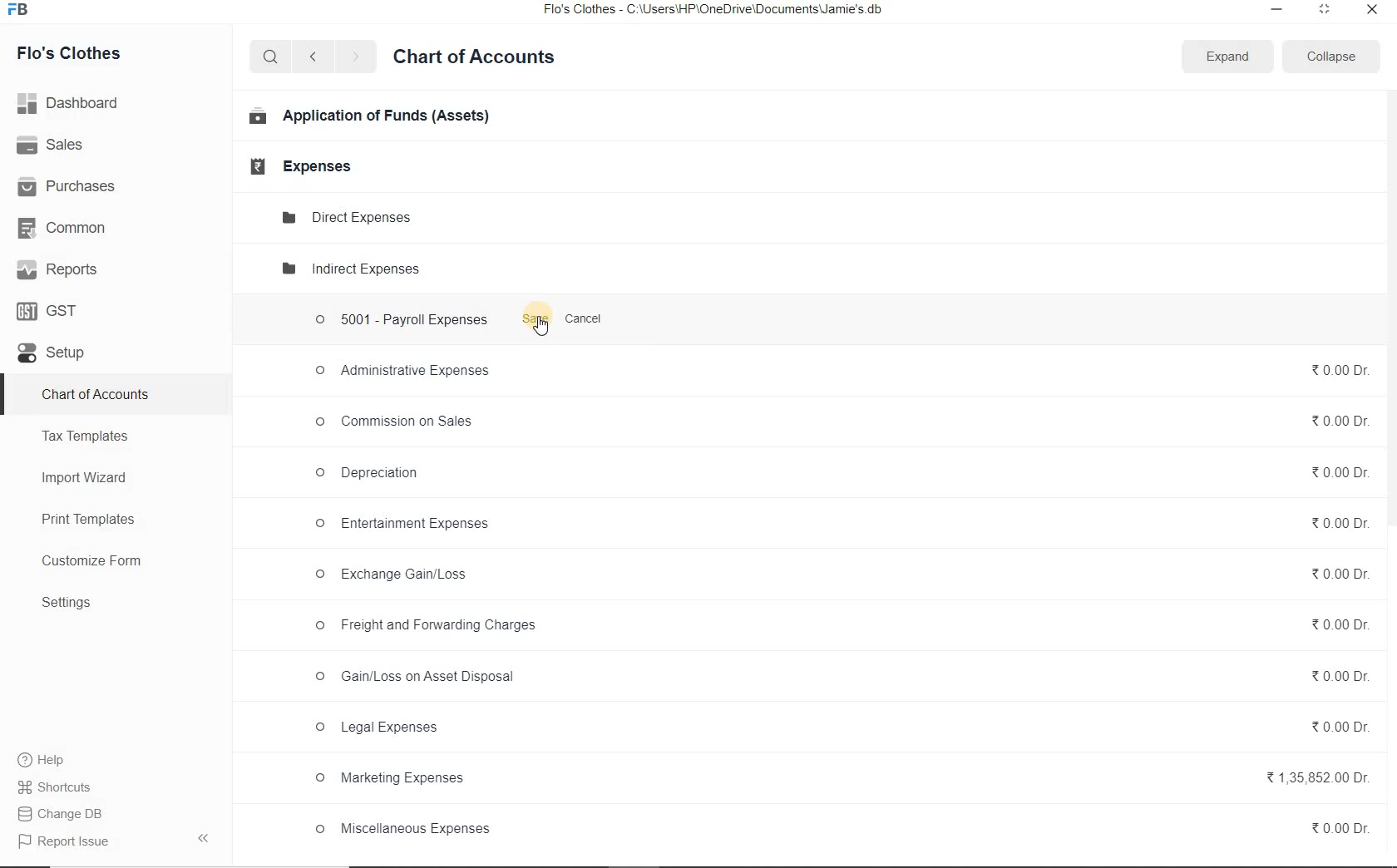 The height and width of the screenshot is (868, 1397). Describe the element at coordinates (1323, 12) in the screenshot. I see `restore down` at that location.